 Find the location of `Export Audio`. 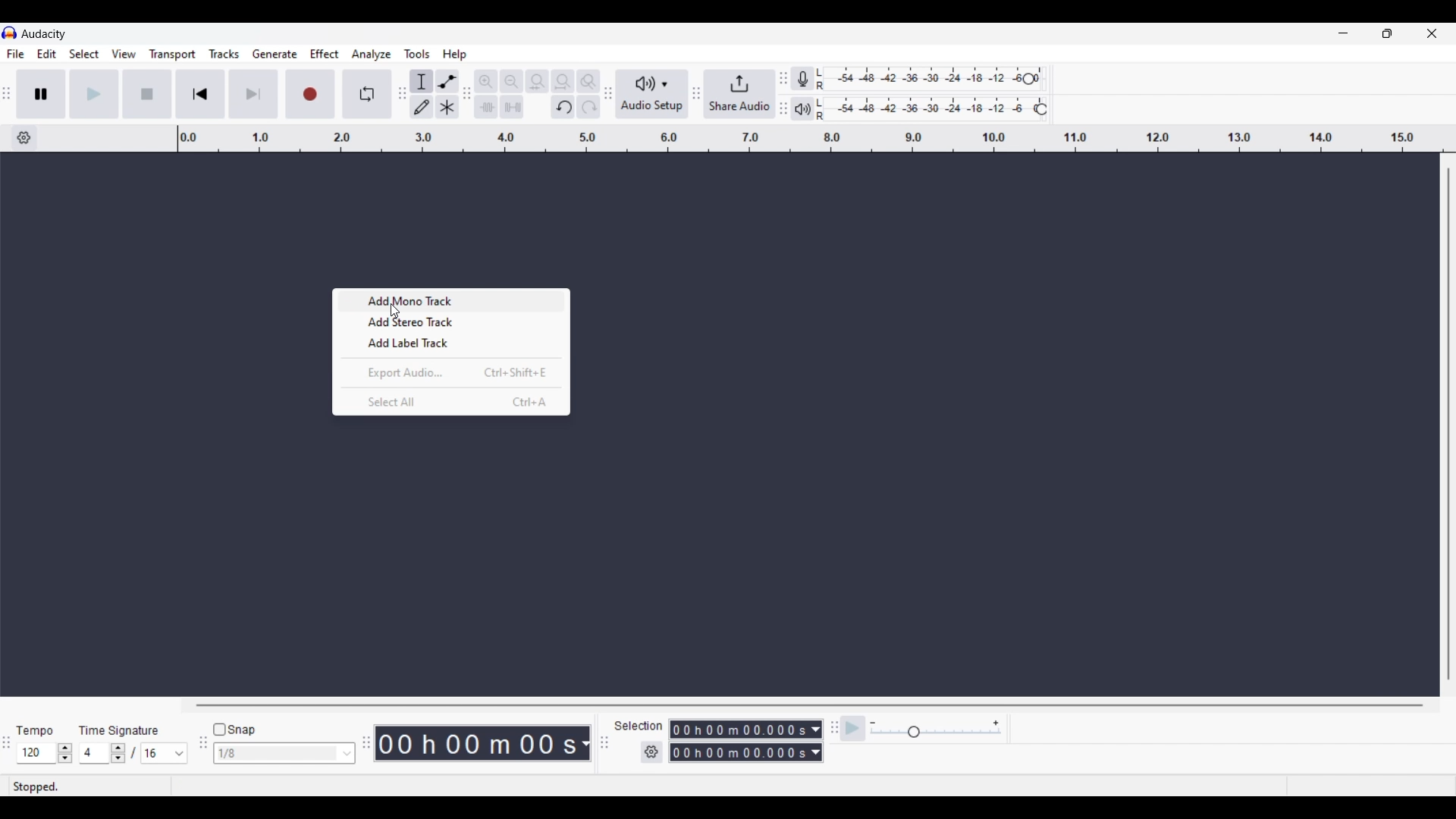

Export Audio is located at coordinates (455, 372).